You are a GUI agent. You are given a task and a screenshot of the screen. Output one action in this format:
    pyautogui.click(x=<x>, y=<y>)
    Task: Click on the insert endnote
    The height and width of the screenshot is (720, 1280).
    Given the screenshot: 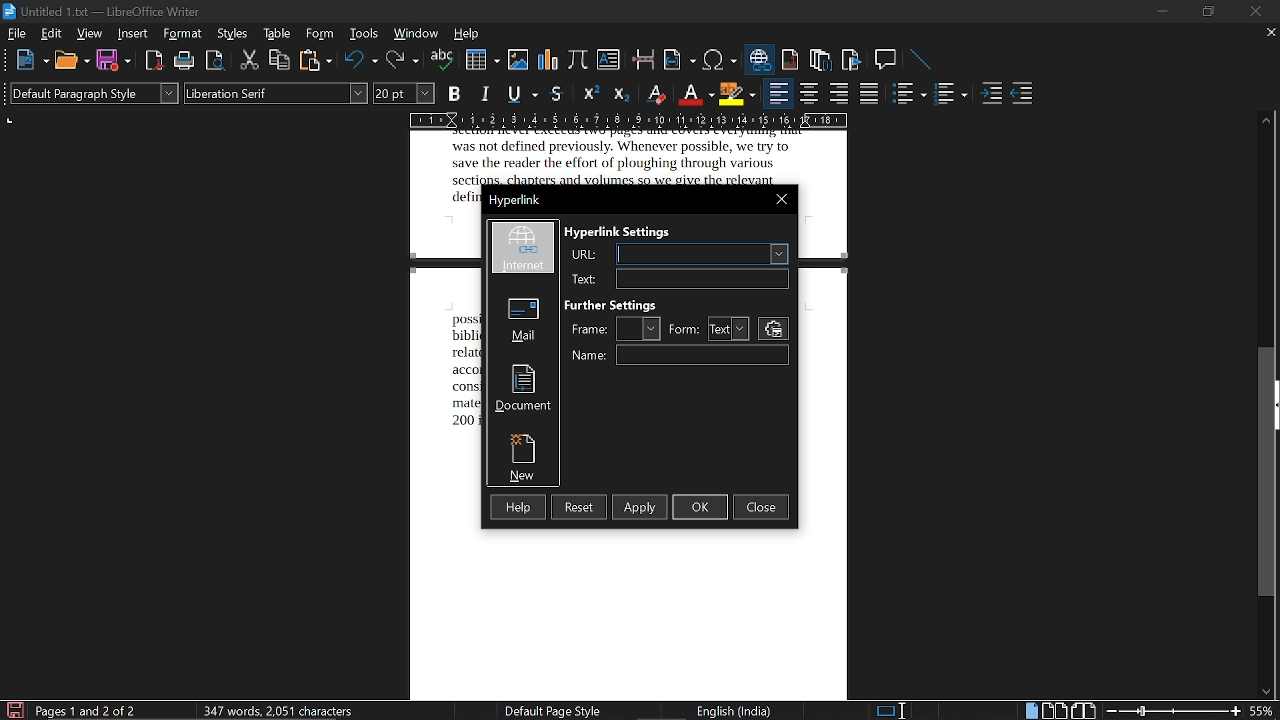 What is the action you would take?
    pyautogui.click(x=821, y=61)
    